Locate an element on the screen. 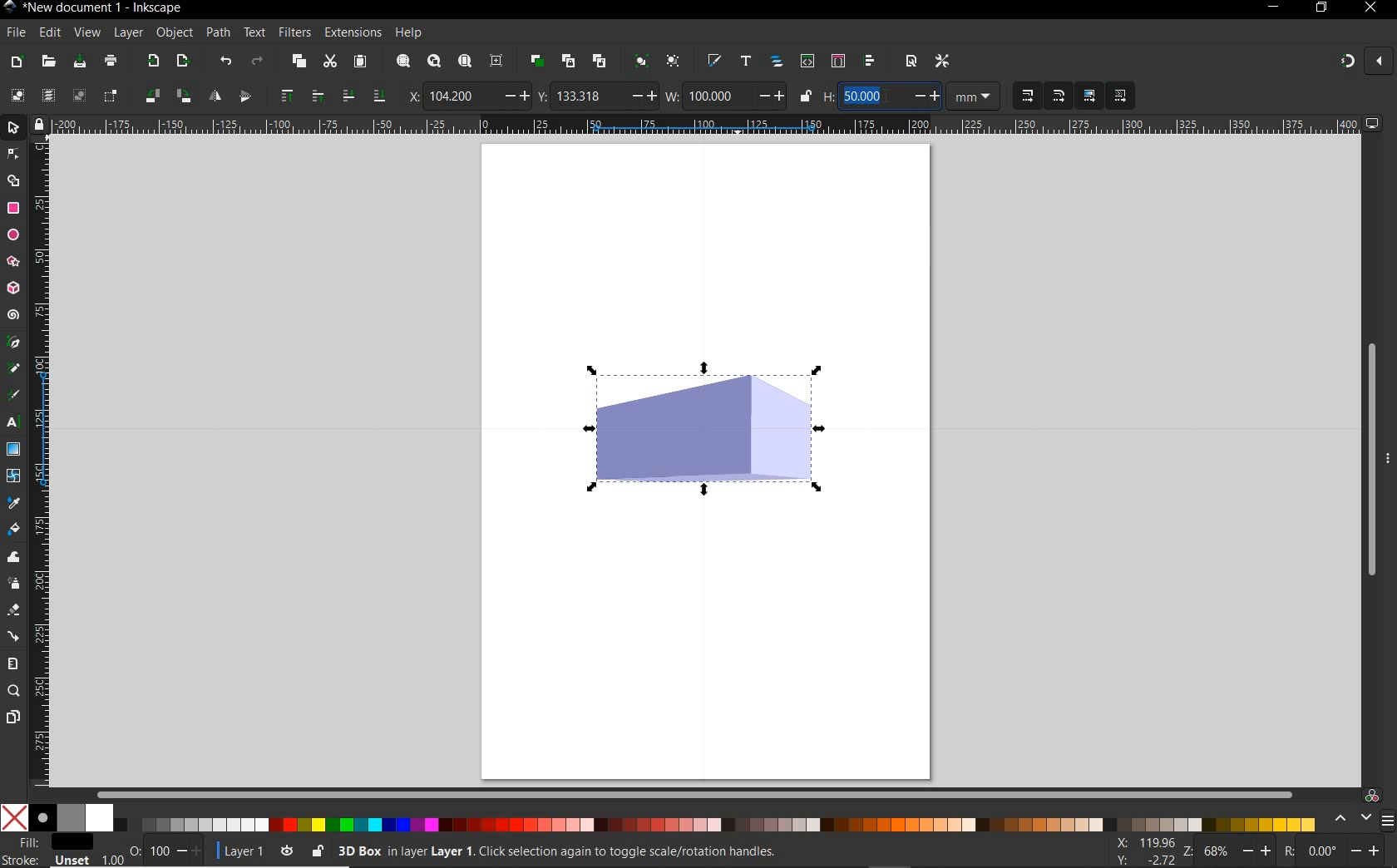  pen tool is located at coordinates (12, 343).